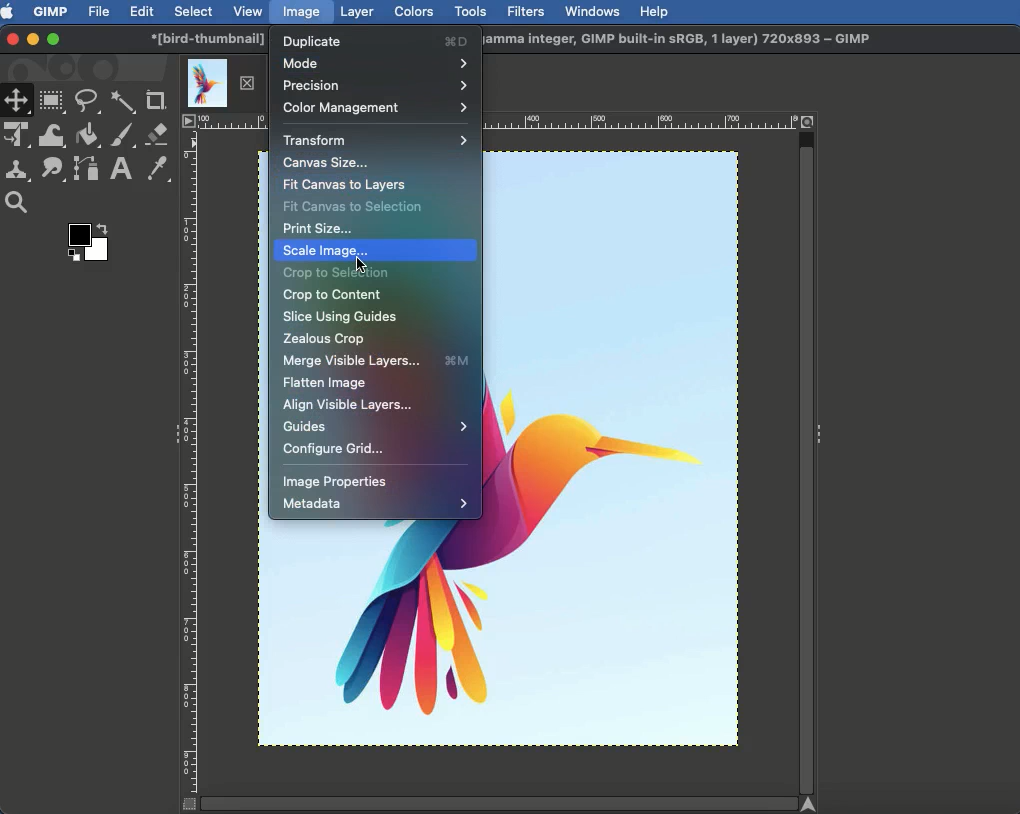 This screenshot has width=1020, height=814. Describe the element at coordinates (86, 169) in the screenshot. I see `Paths` at that location.